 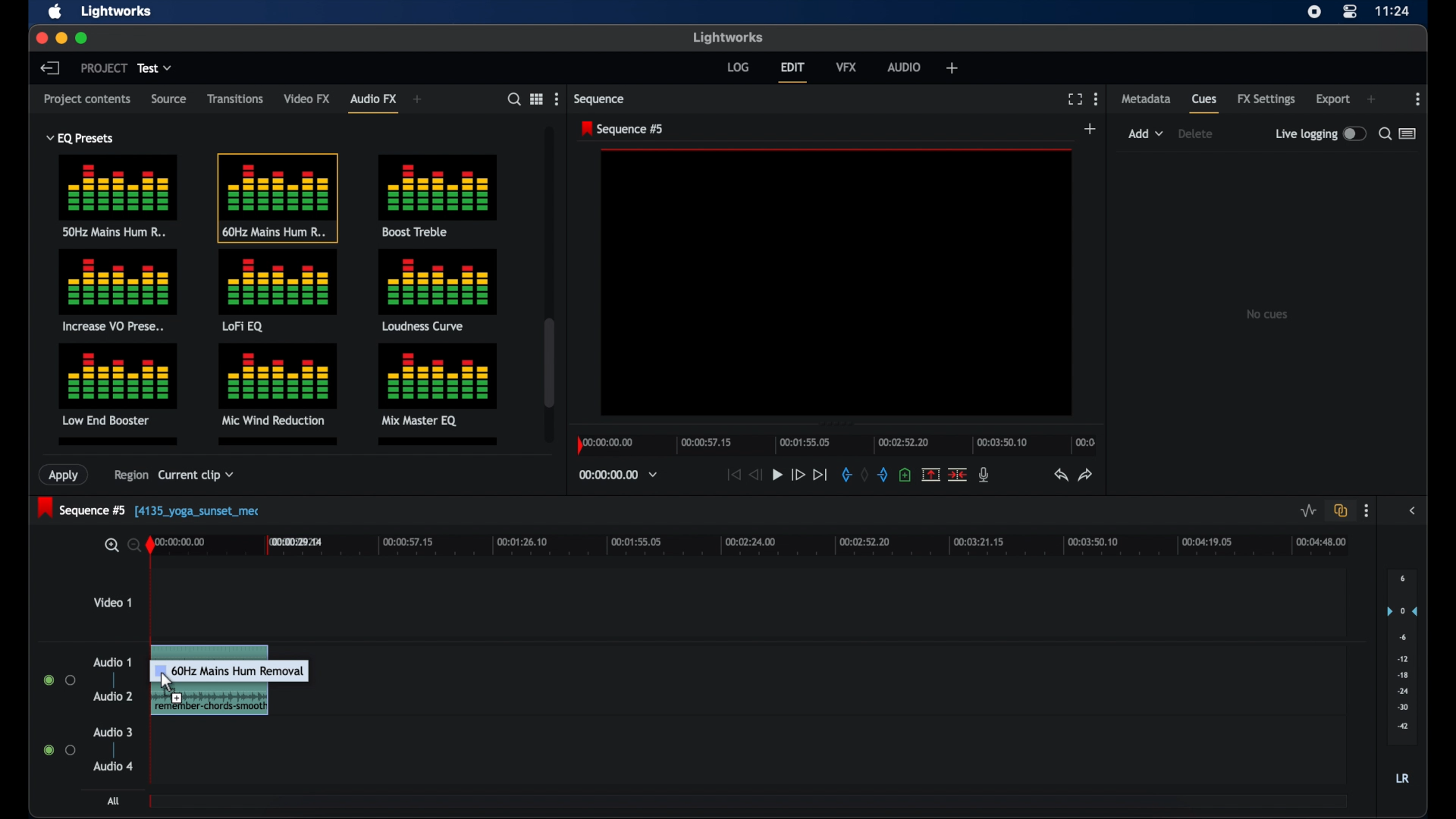 What do you see at coordinates (1146, 133) in the screenshot?
I see `add` at bounding box center [1146, 133].